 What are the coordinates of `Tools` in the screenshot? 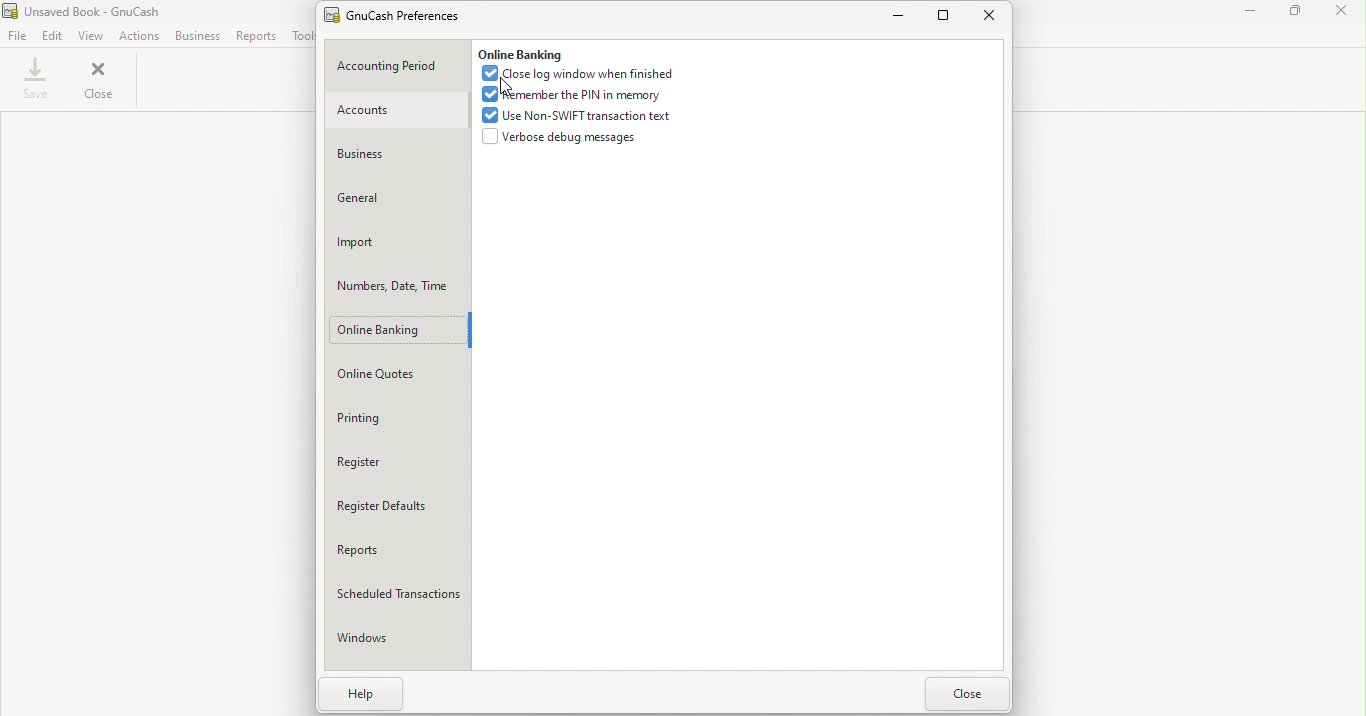 It's located at (301, 36).